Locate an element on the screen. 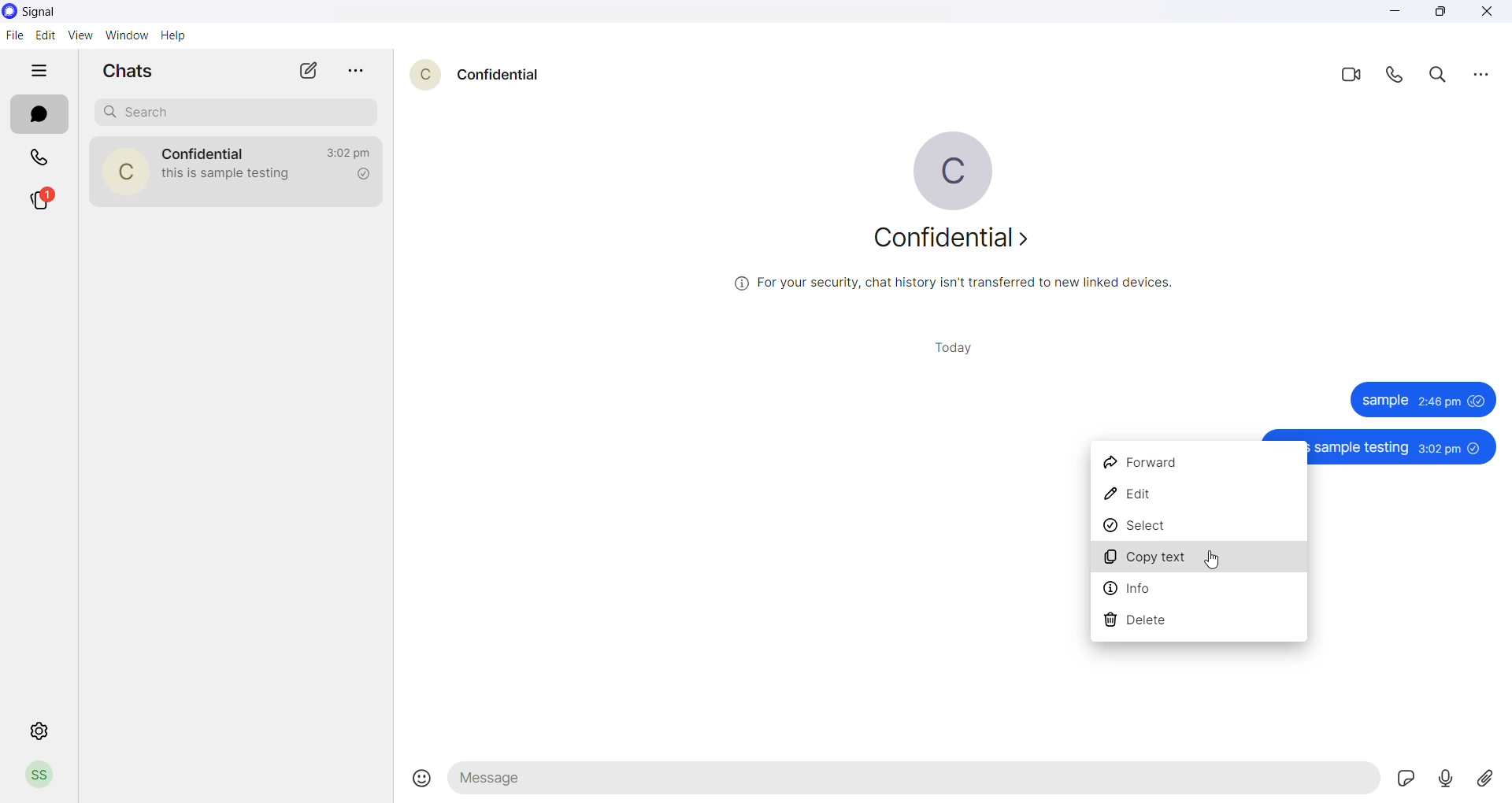 The width and height of the screenshot is (1512, 803). search box is located at coordinates (233, 111).